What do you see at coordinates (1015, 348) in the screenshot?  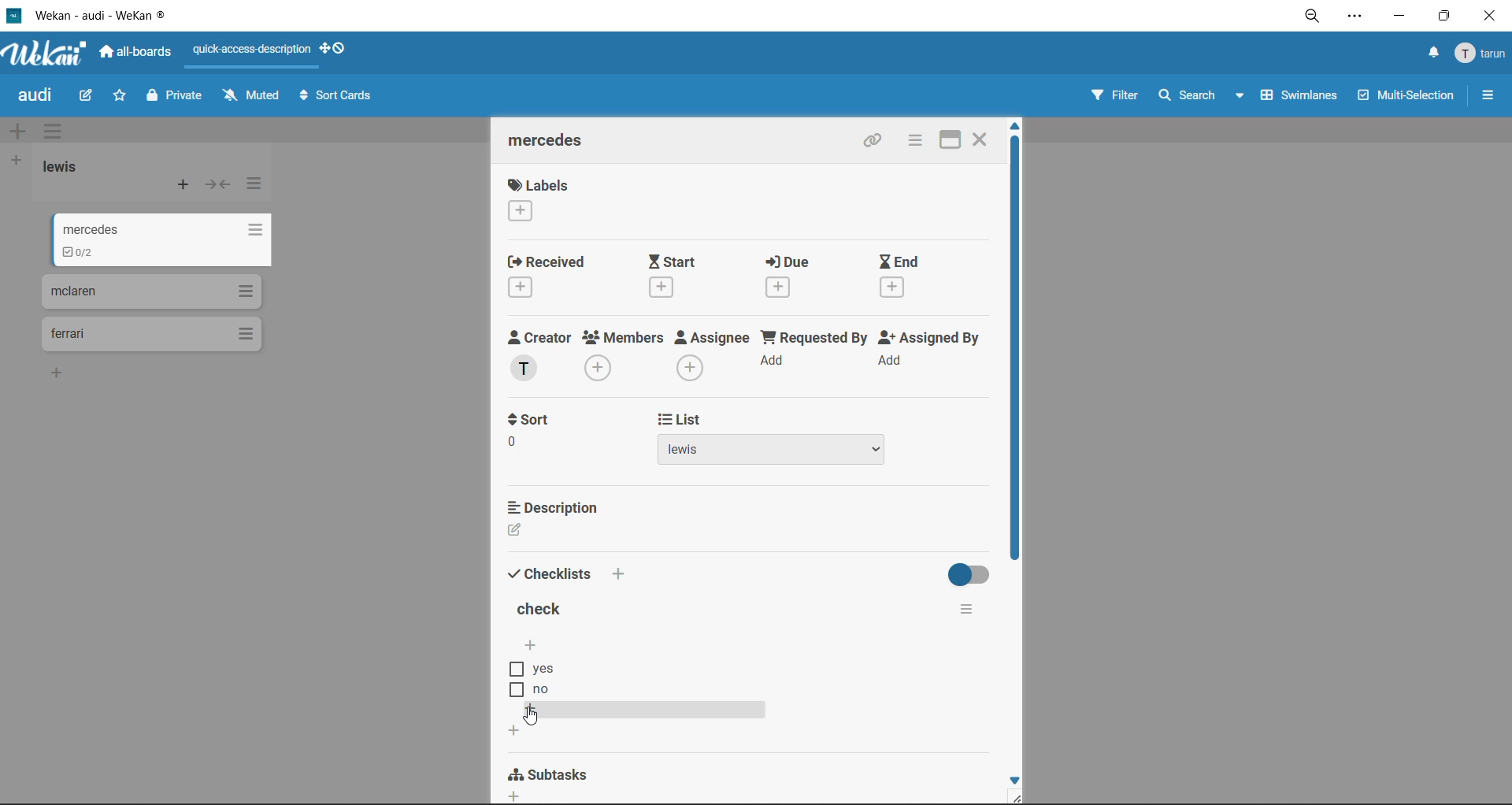 I see `vertical scroll bar` at bounding box center [1015, 348].